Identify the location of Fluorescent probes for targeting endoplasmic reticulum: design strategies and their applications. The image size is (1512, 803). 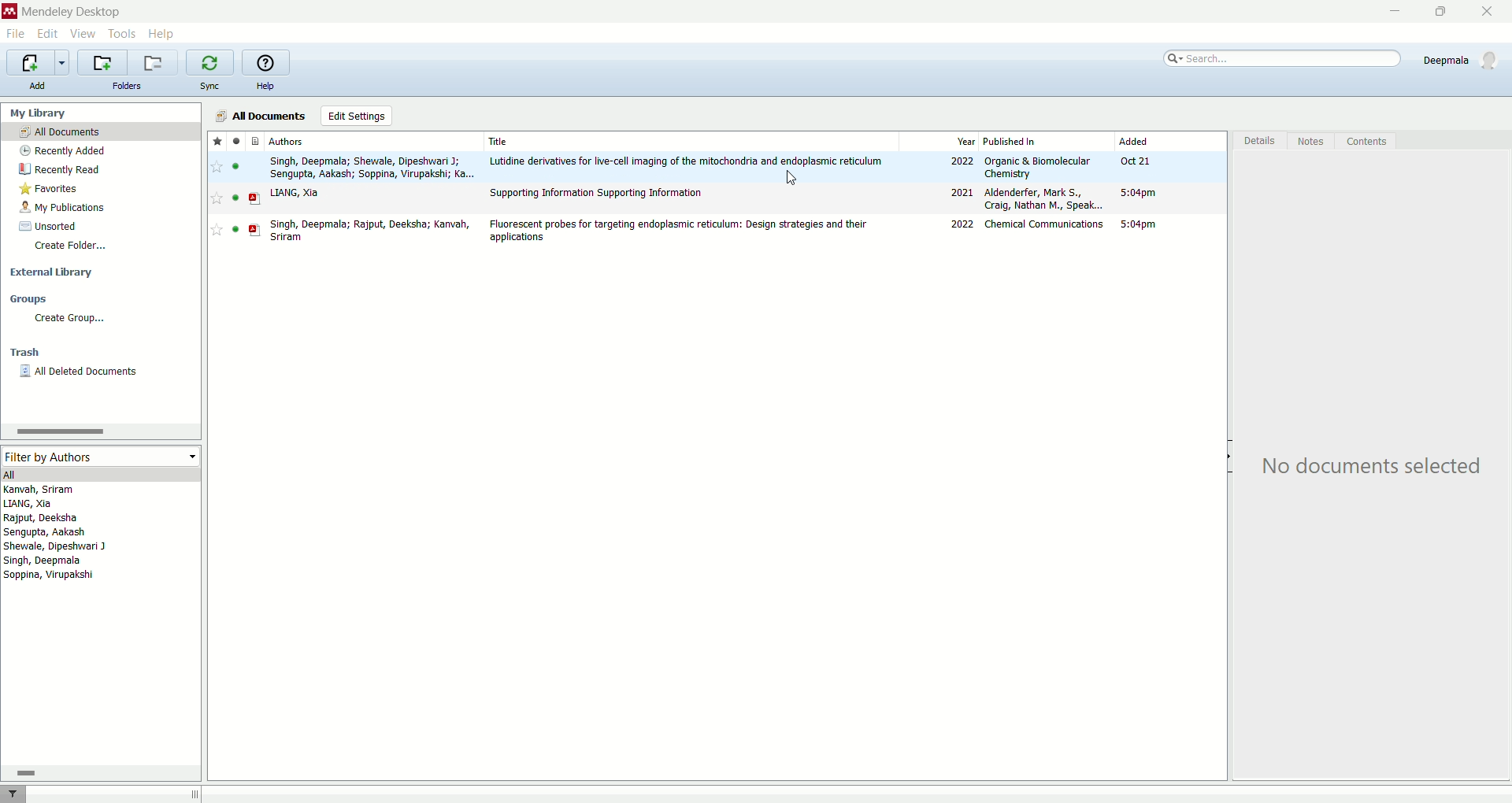
(677, 231).